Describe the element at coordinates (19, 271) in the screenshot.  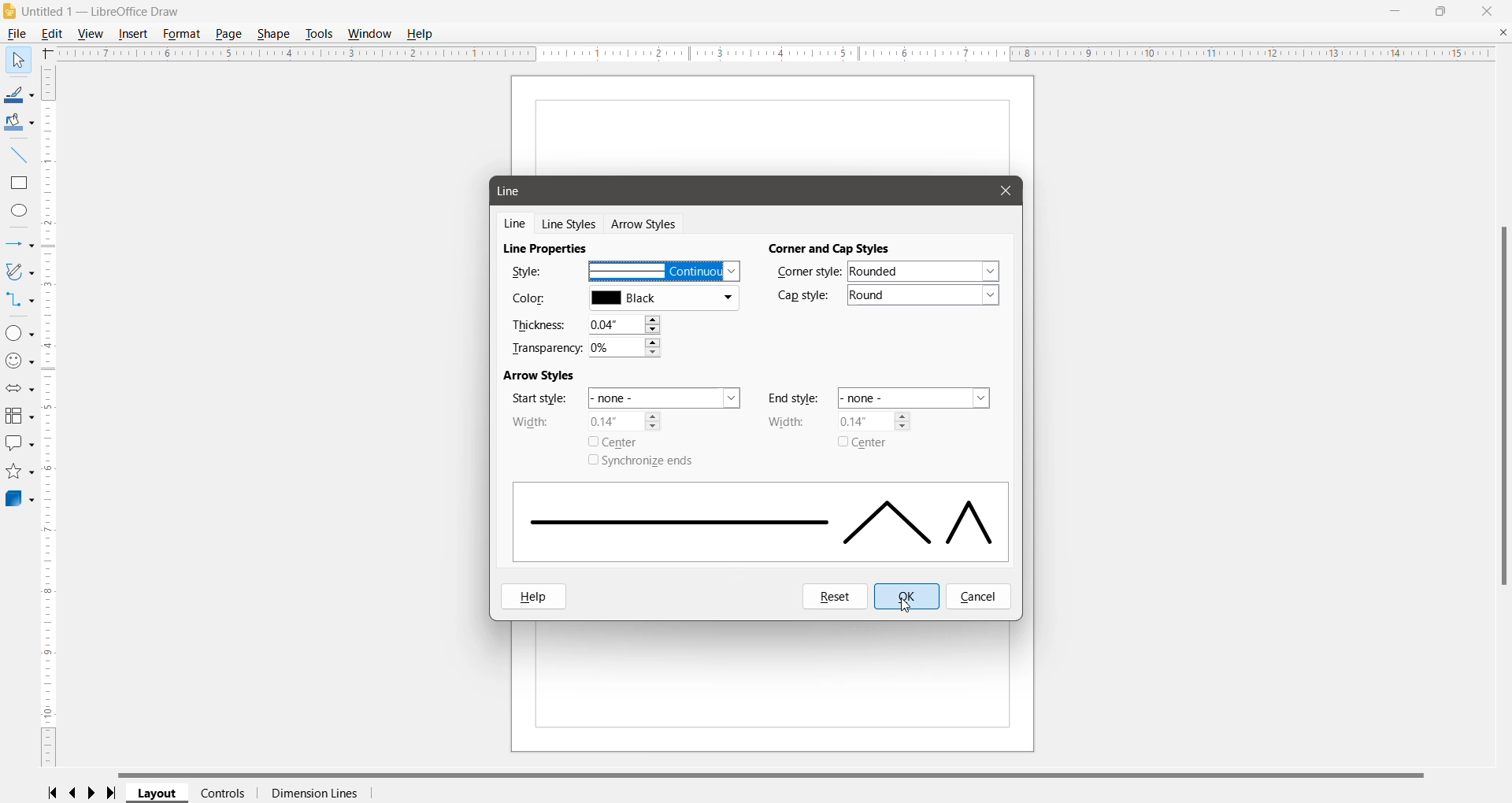
I see `Curves and Polygons` at that location.